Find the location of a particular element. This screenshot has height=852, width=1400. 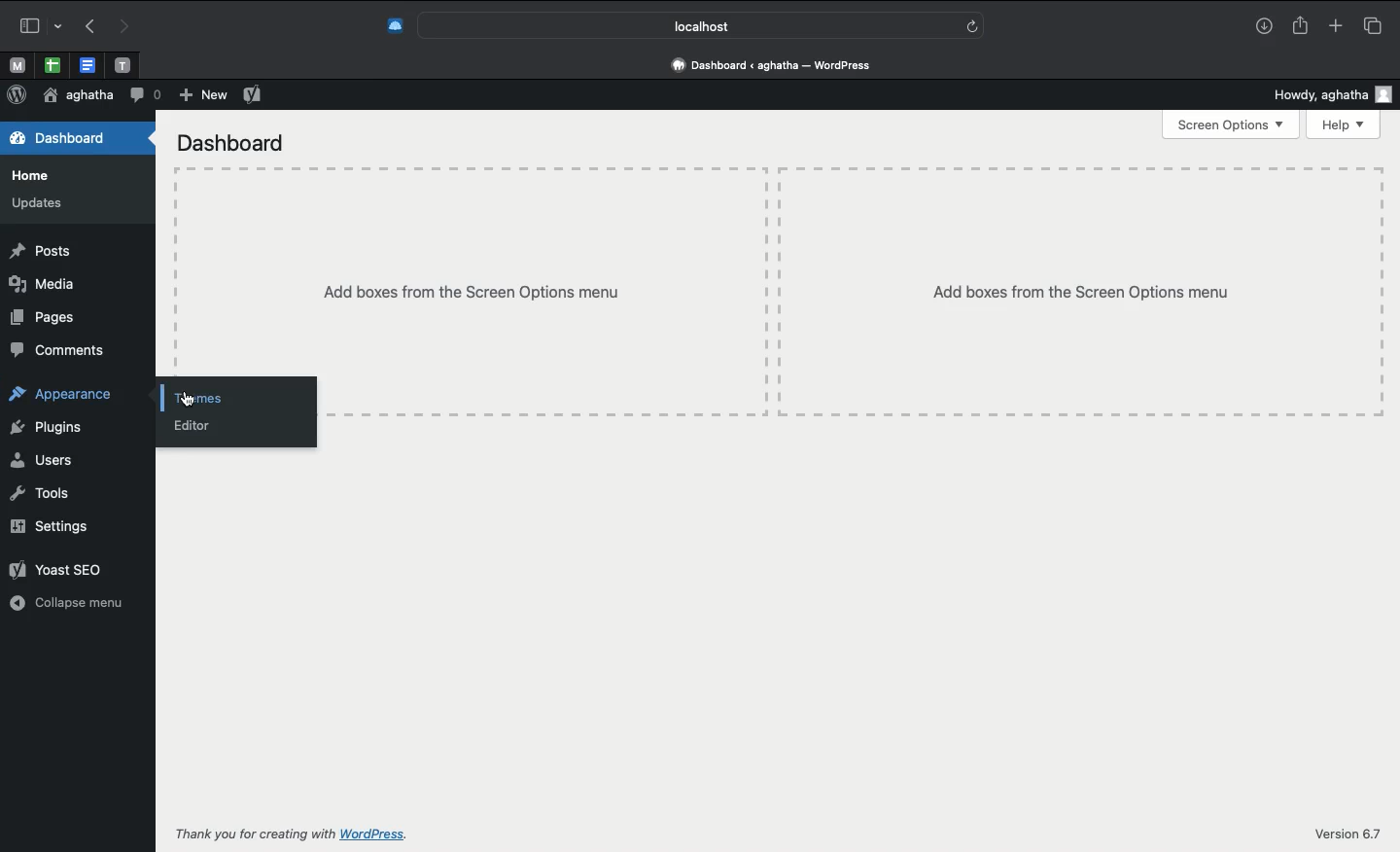

Version 6.7 is located at coordinates (1350, 834).